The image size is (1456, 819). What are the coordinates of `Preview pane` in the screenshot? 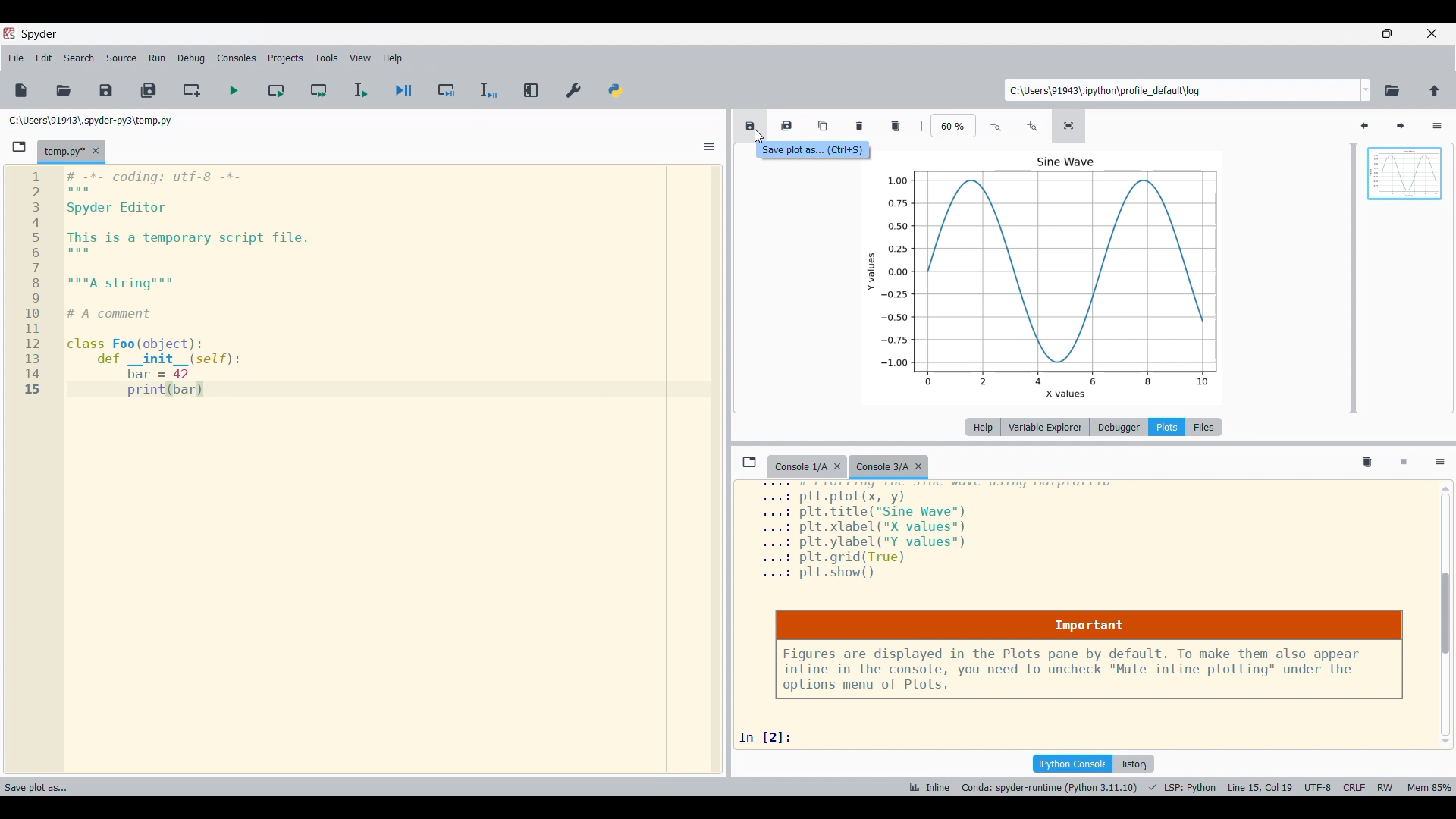 It's located at (1405, 187).